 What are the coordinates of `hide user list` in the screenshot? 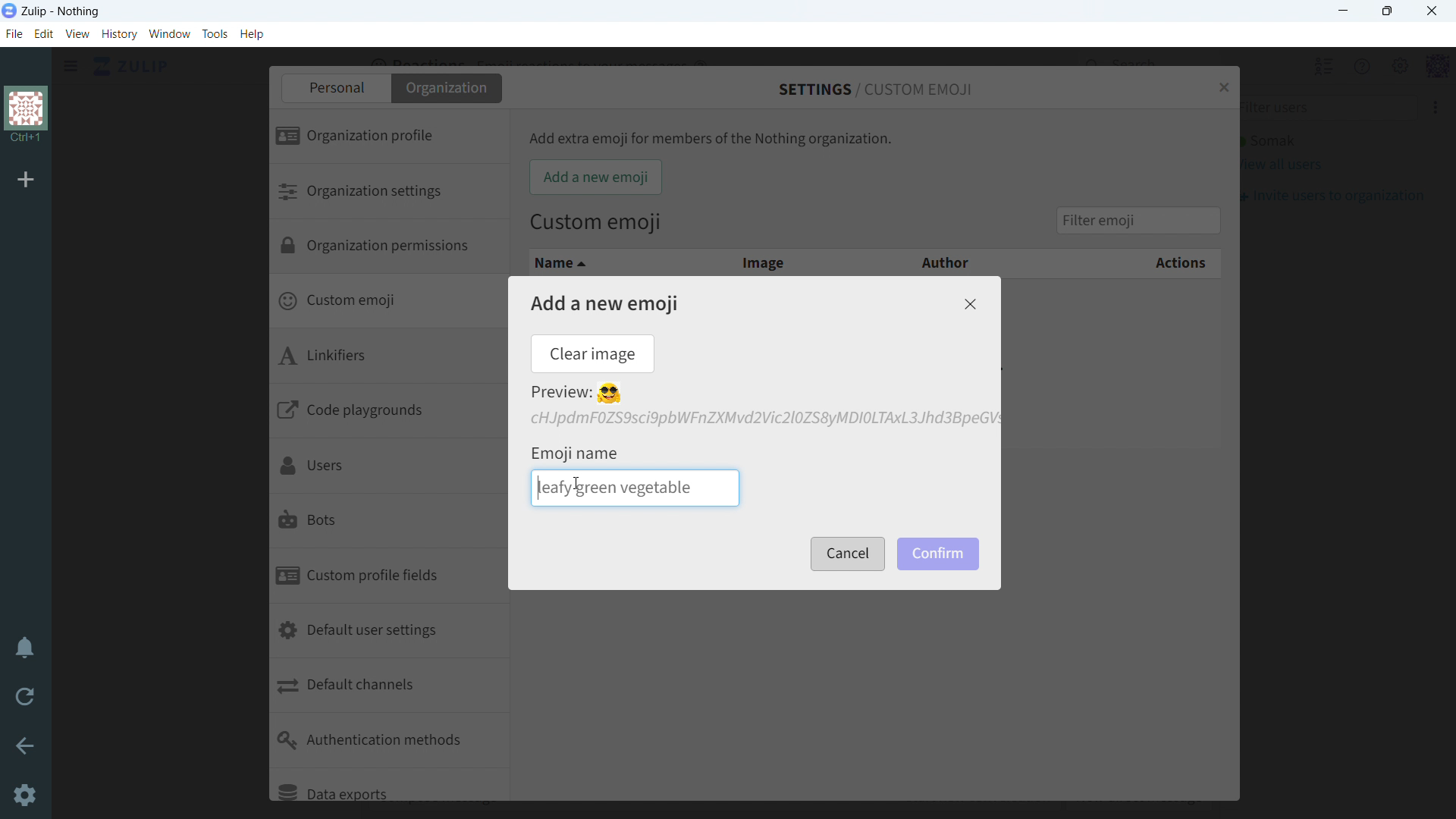 It's located at (1307, 65).